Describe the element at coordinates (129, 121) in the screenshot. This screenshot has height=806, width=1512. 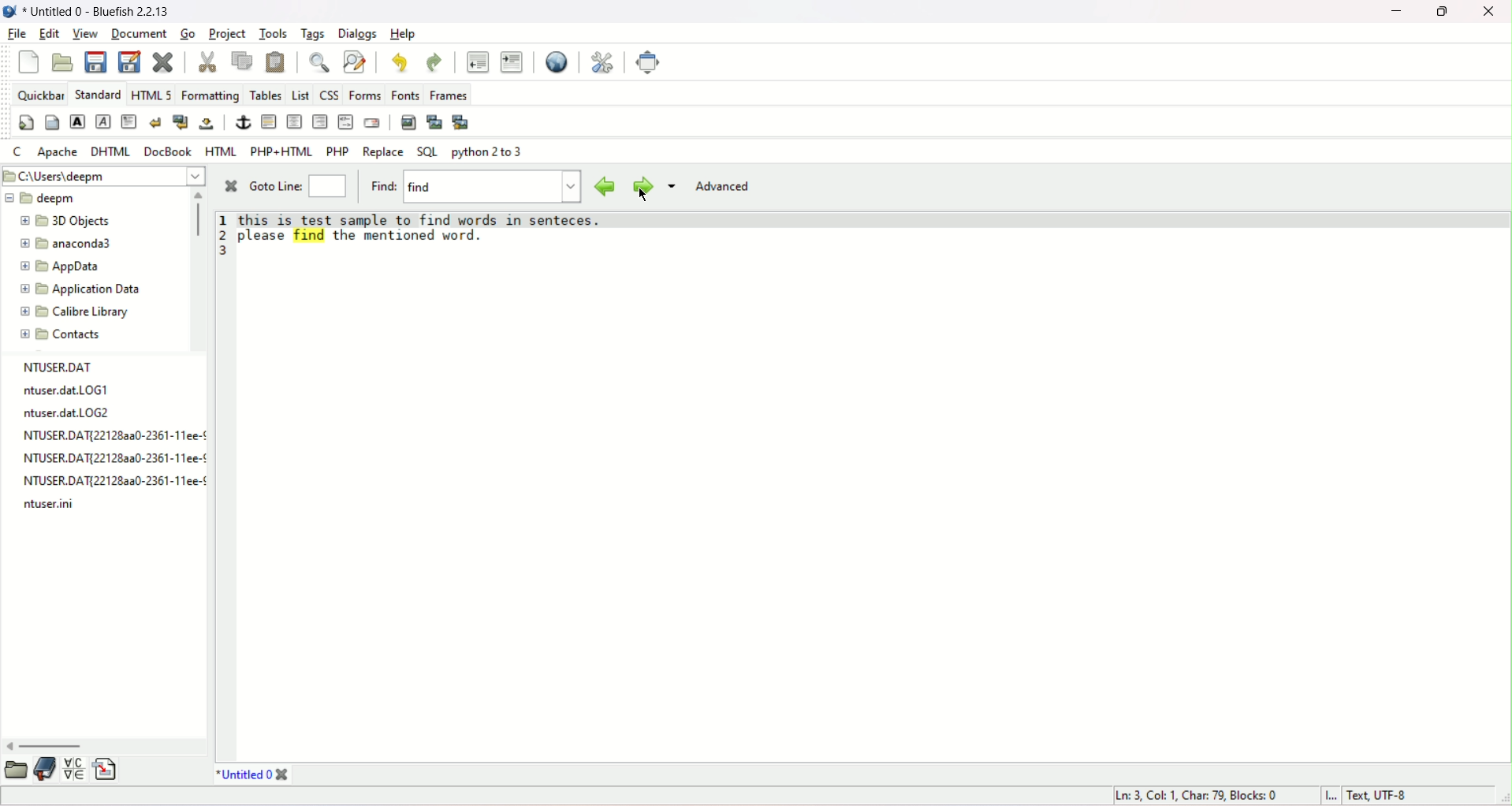
I see `paragraph` at that location.